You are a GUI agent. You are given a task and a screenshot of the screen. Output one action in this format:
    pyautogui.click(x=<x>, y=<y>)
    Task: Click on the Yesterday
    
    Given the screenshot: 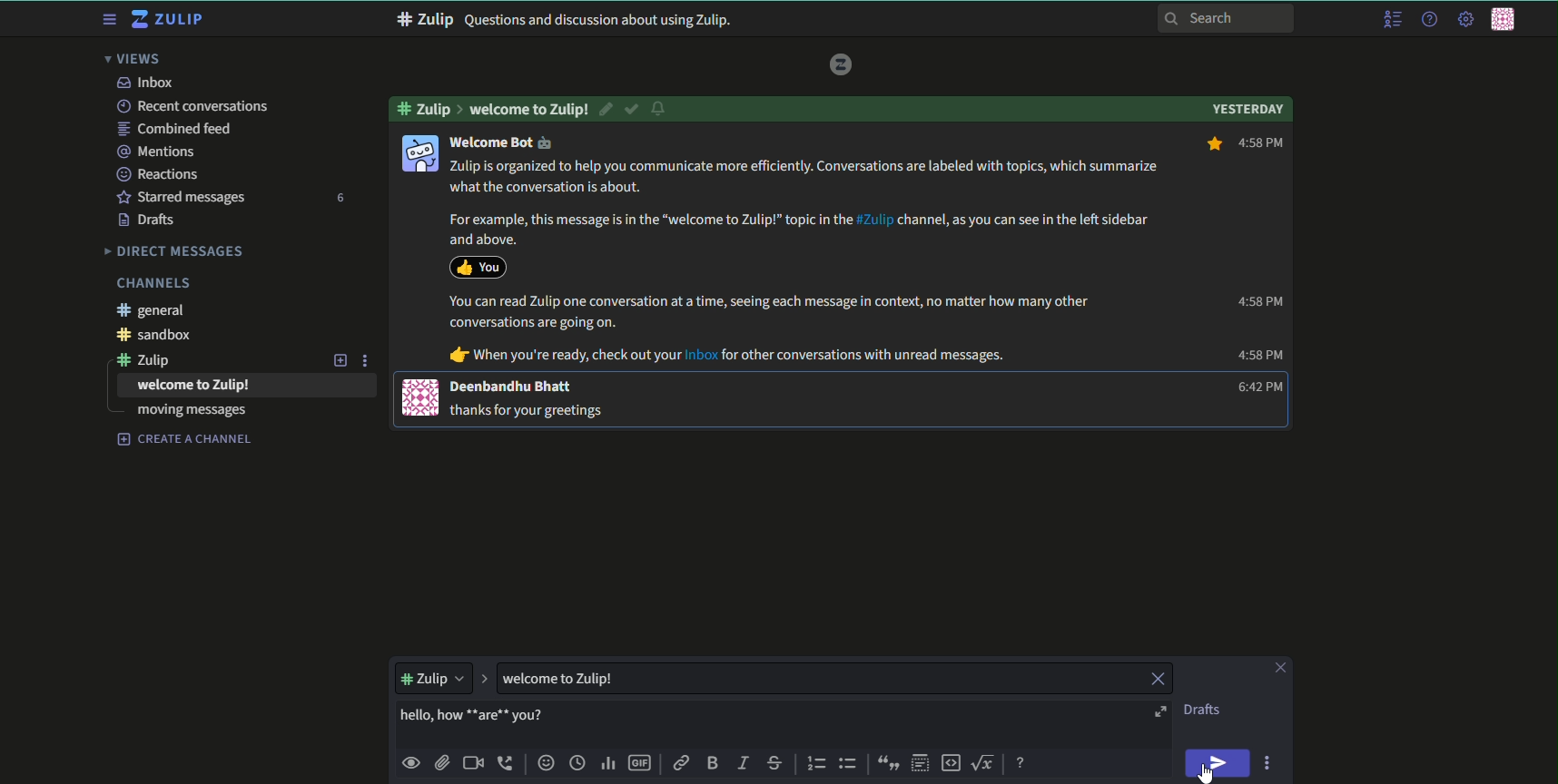 What is the action you would take?
    pyautogui.click(x=1247, y=107)
    